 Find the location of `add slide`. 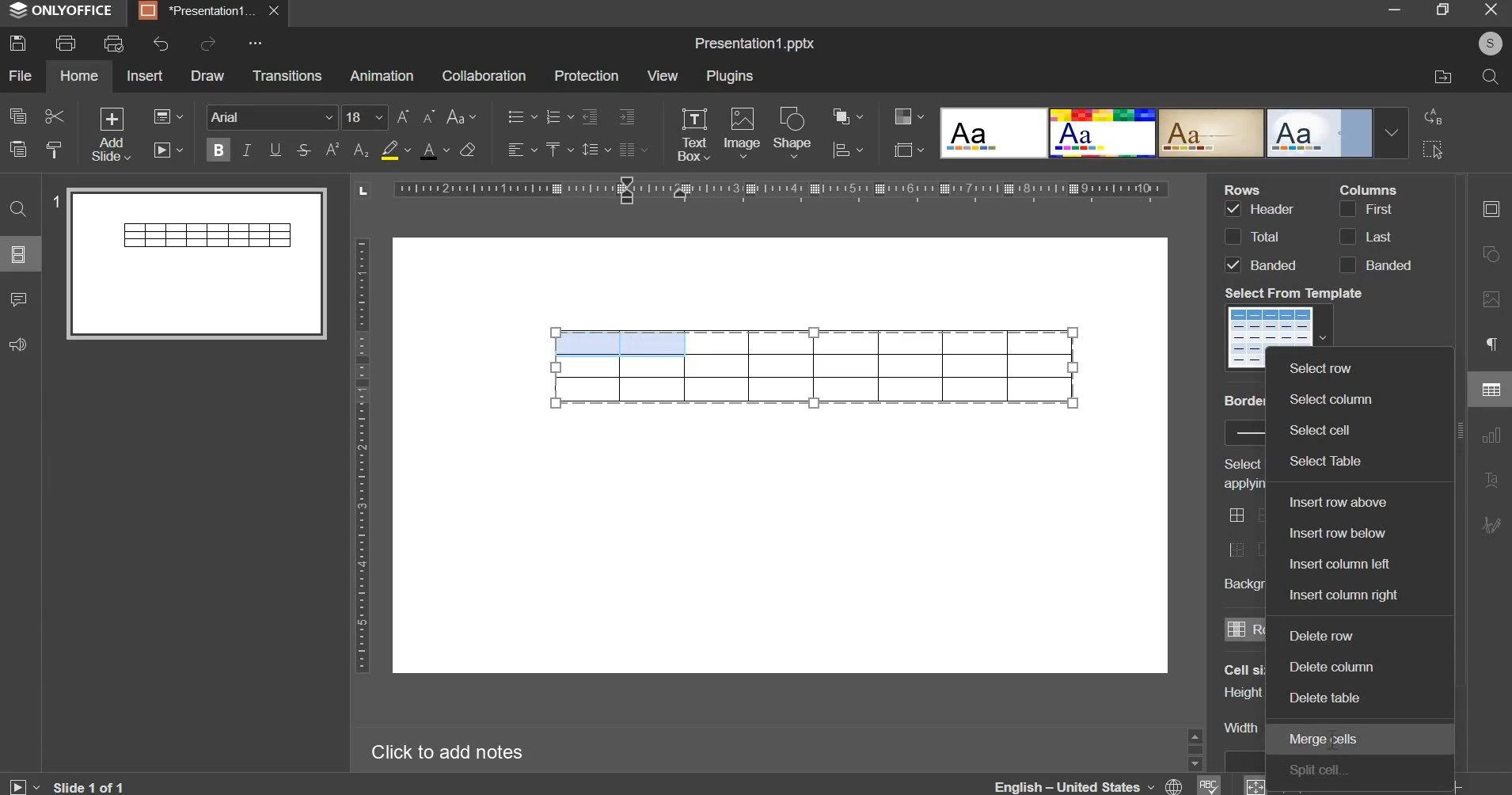

add slide is located at coordinates (112, 135).